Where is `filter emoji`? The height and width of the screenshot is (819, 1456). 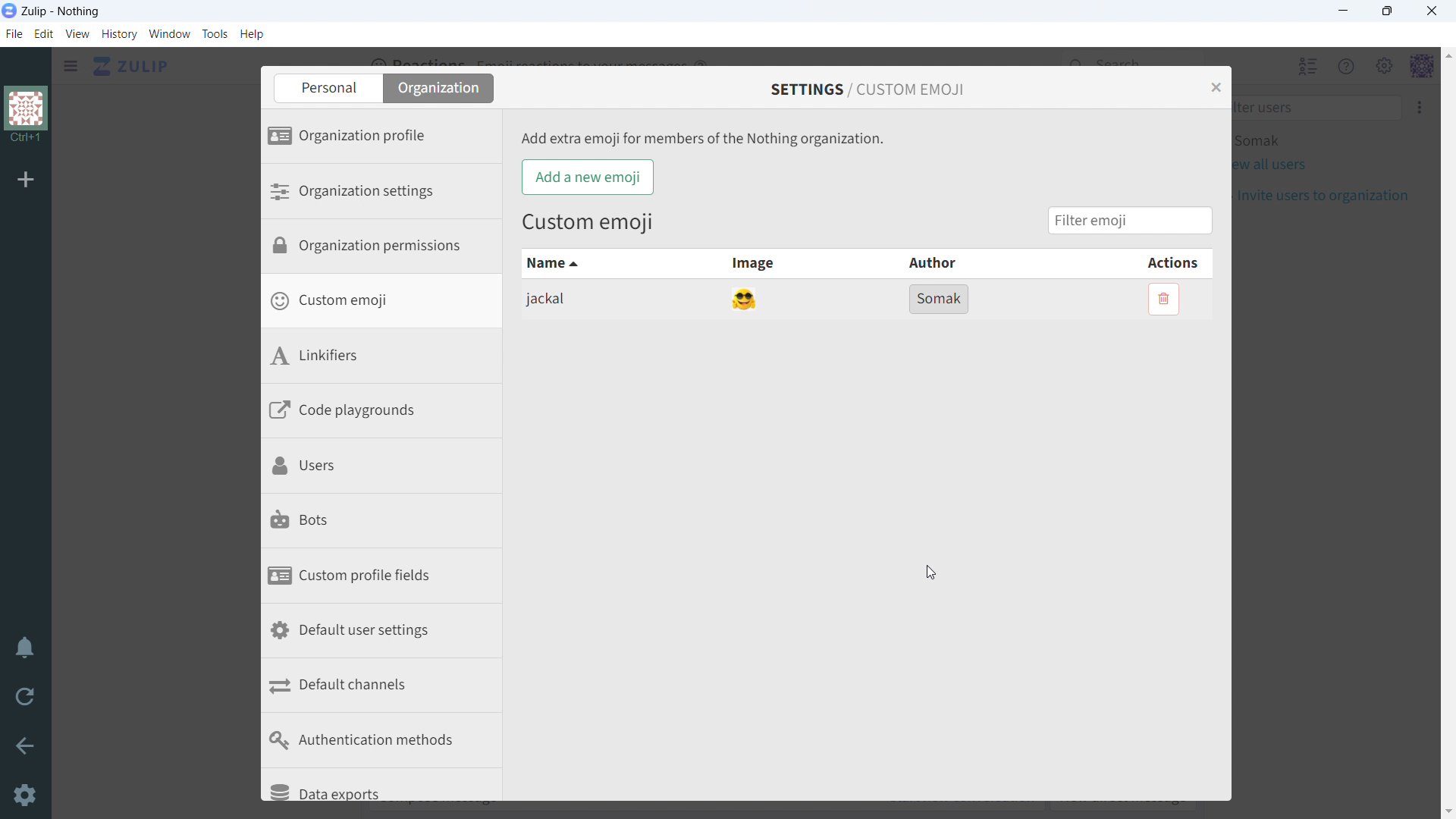 filter emoji is located at coordinates (1137, 219).